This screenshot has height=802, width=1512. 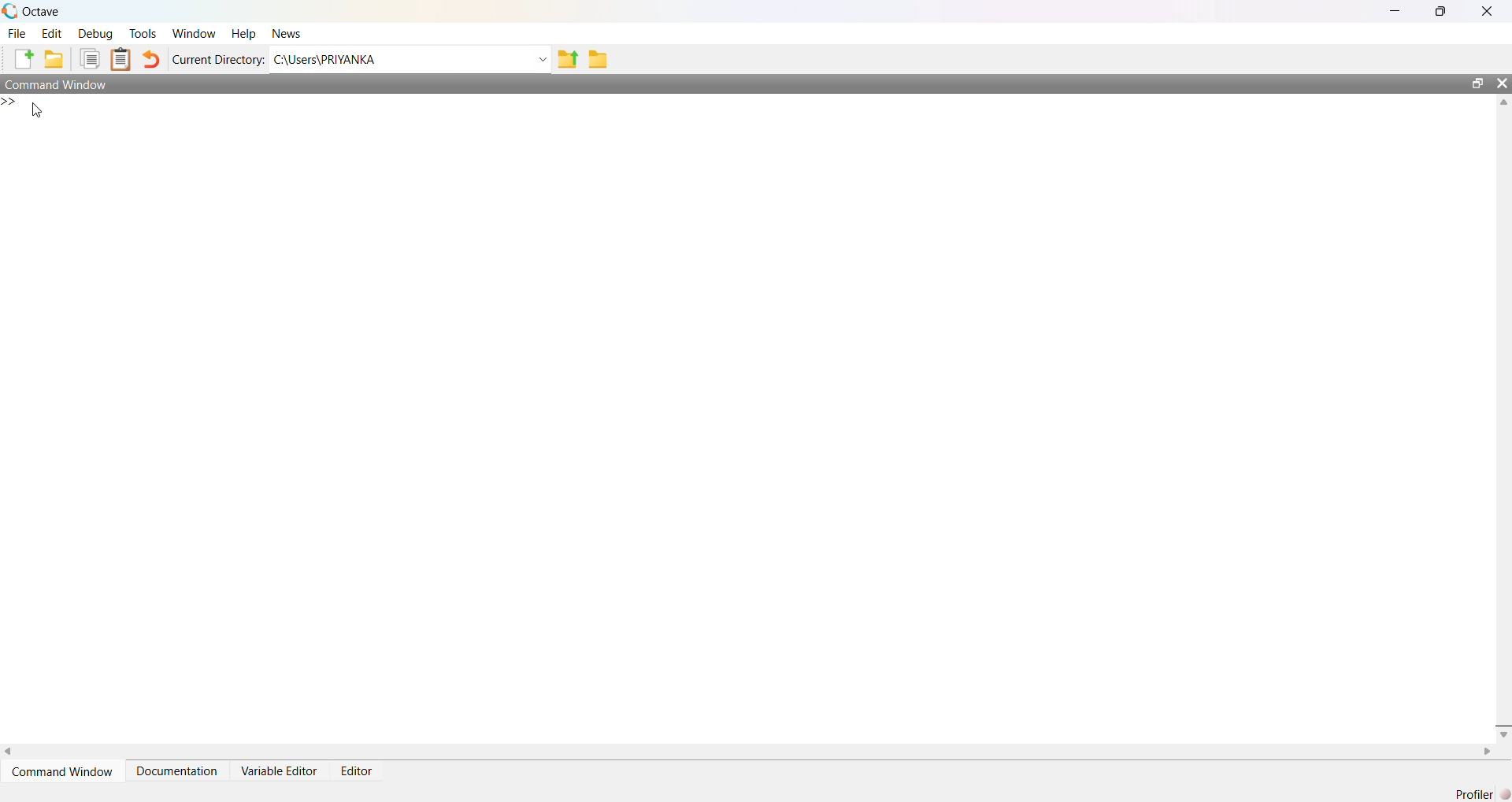 What do you see at coordinates (220, 61) in the screenshot?
I see `Current Directory:` at bounding box center [220, 61].